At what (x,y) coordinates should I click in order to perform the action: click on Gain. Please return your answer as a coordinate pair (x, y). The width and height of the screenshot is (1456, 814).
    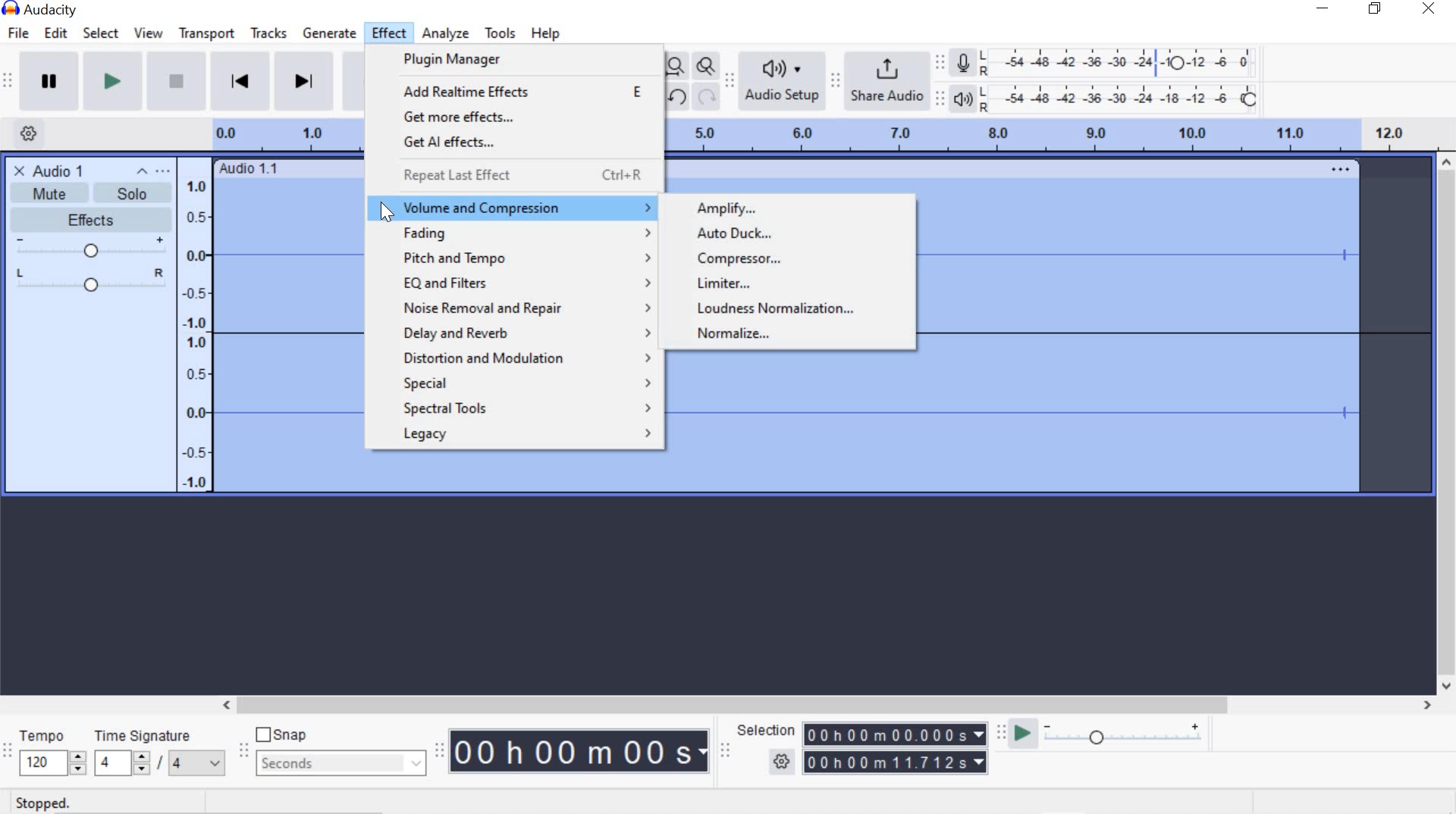
    Looking at the image, I should click on (89, 249).